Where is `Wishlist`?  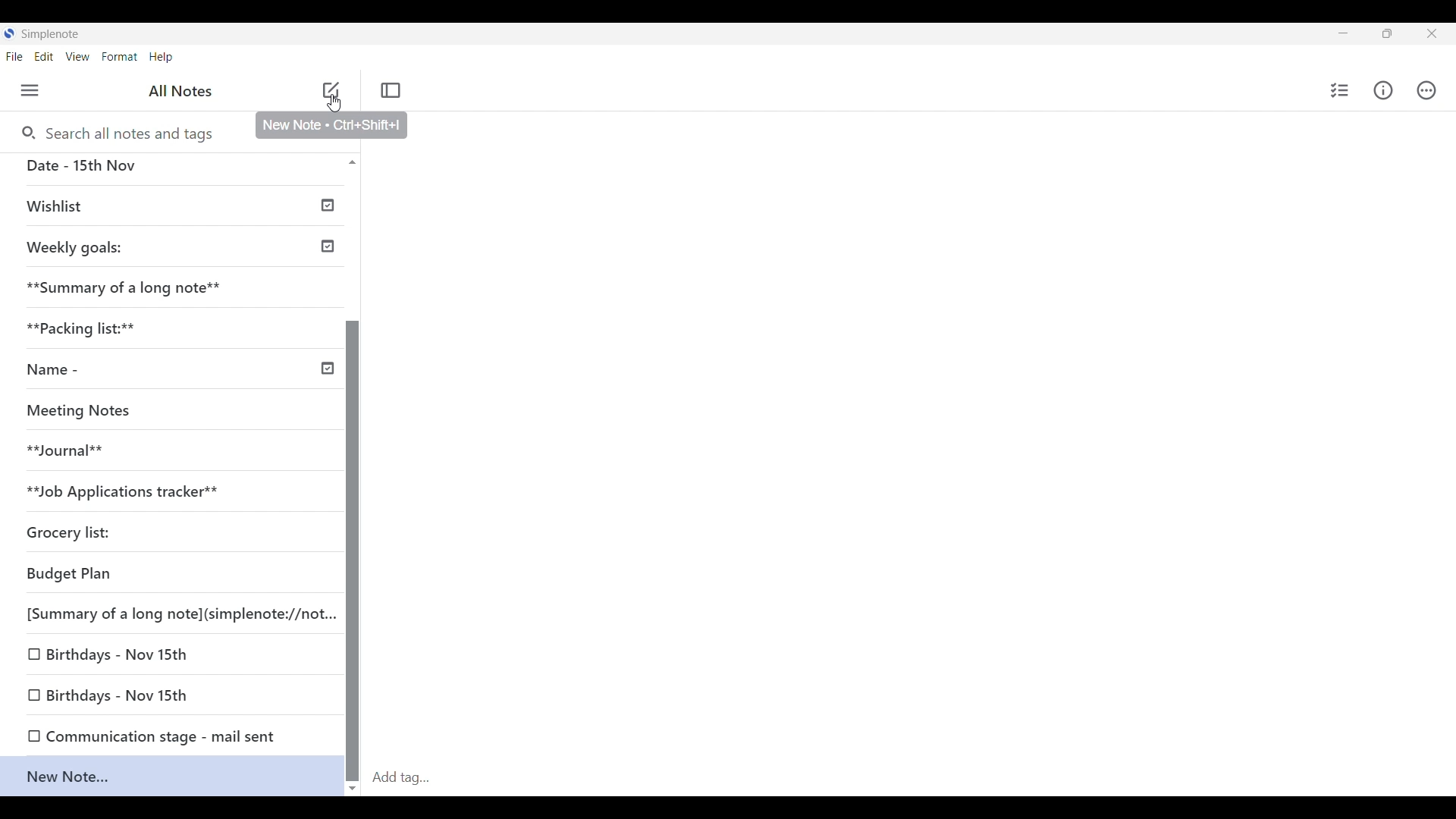 Wishlist is located at coordinates (55, 205).